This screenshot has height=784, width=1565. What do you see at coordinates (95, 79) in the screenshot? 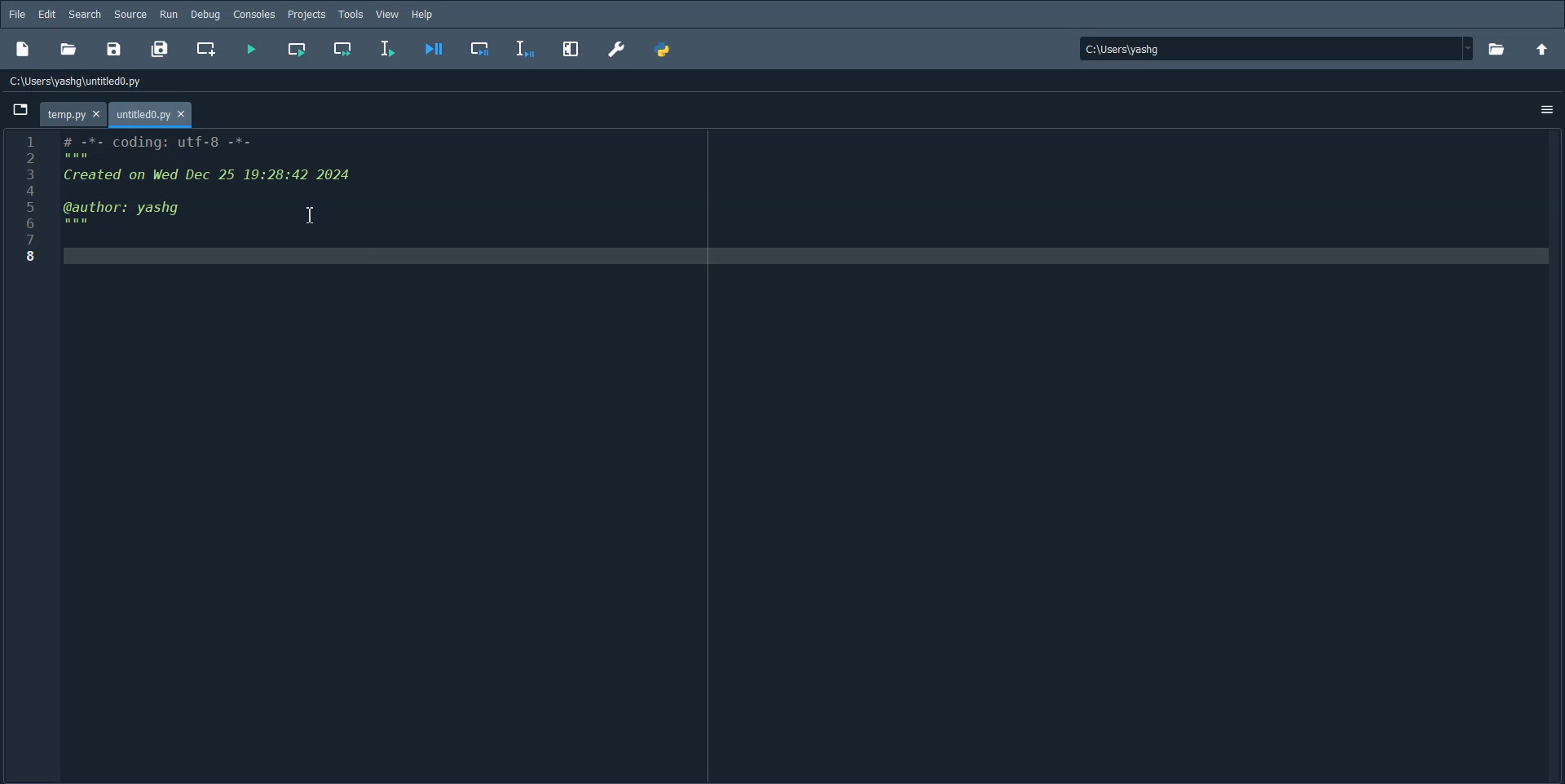
I see `C:\Users\yashg\untitiedo.py` at bounding box center [95, 79].